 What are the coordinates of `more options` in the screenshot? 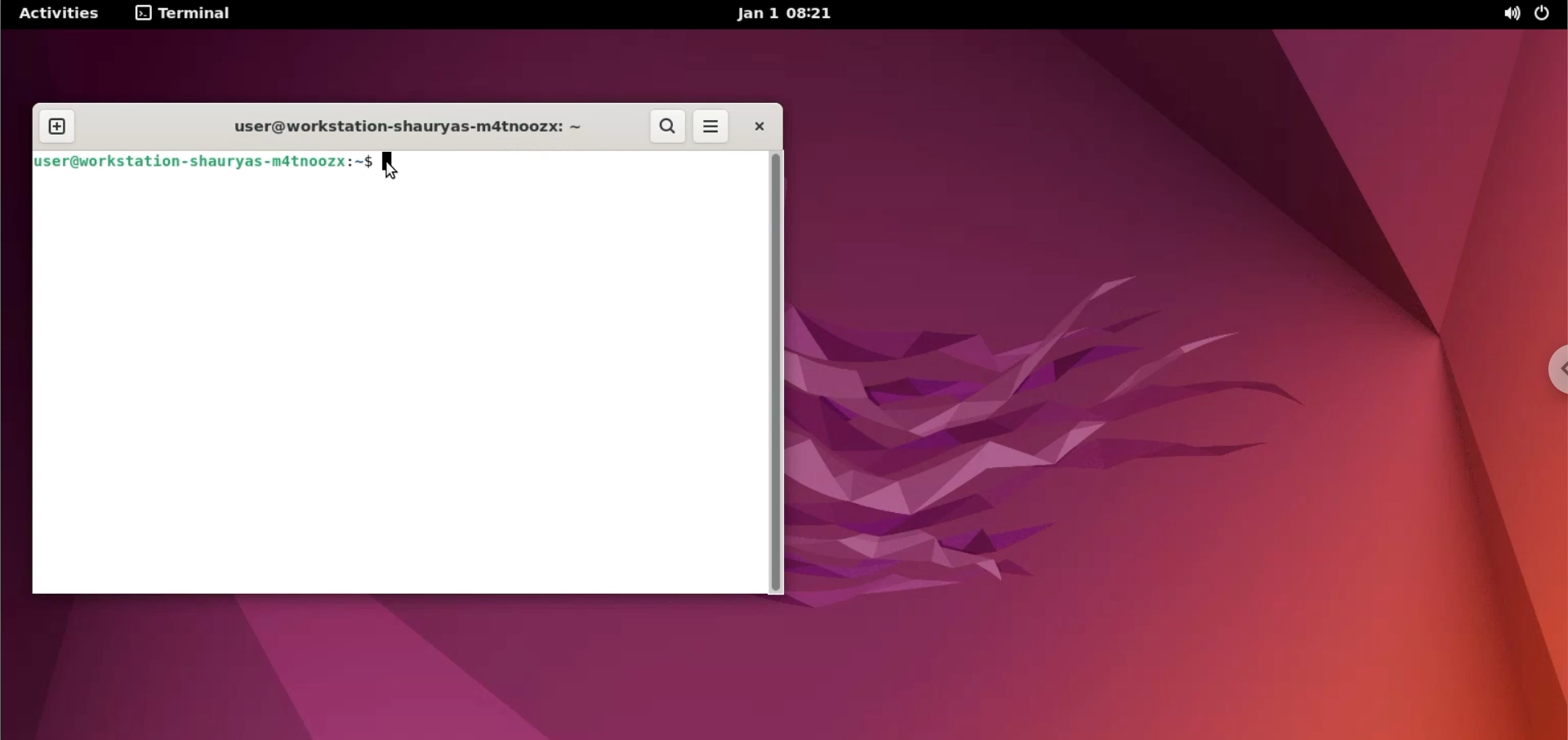 It's located at (712, 128).